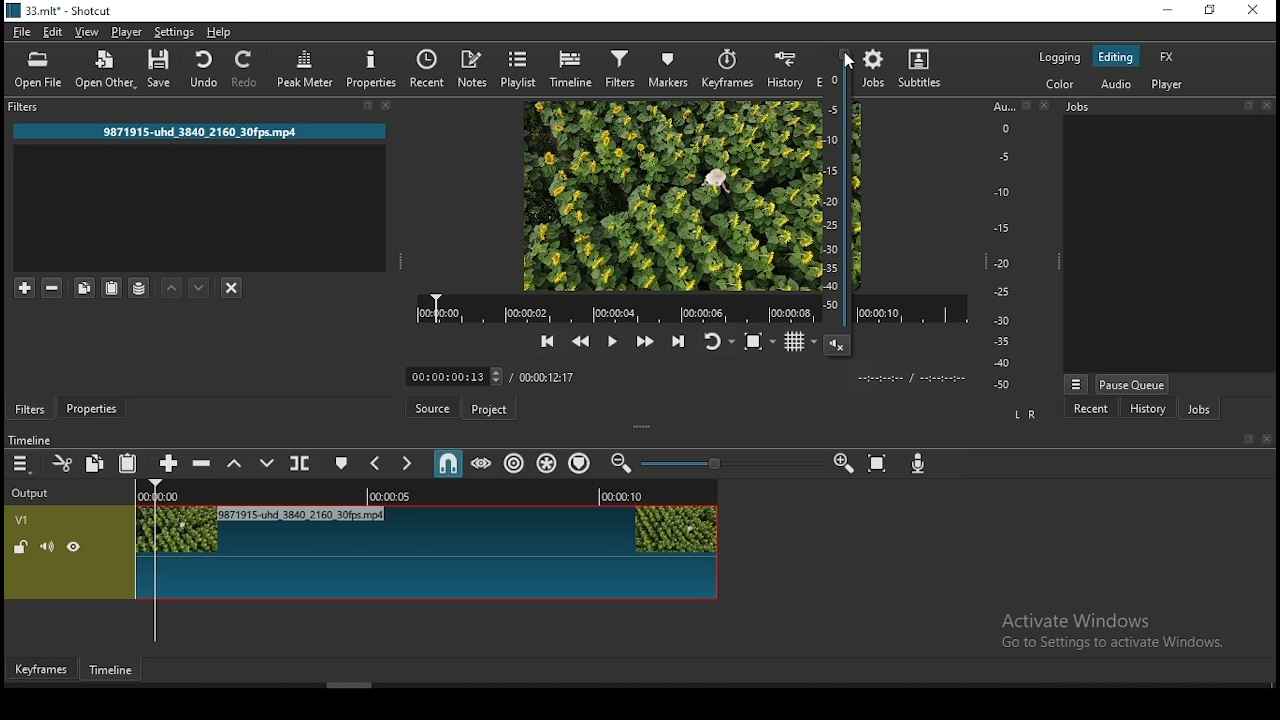 The width and height of the screenshot is (1280, 720). I want to click on close, so click(1269, 109).